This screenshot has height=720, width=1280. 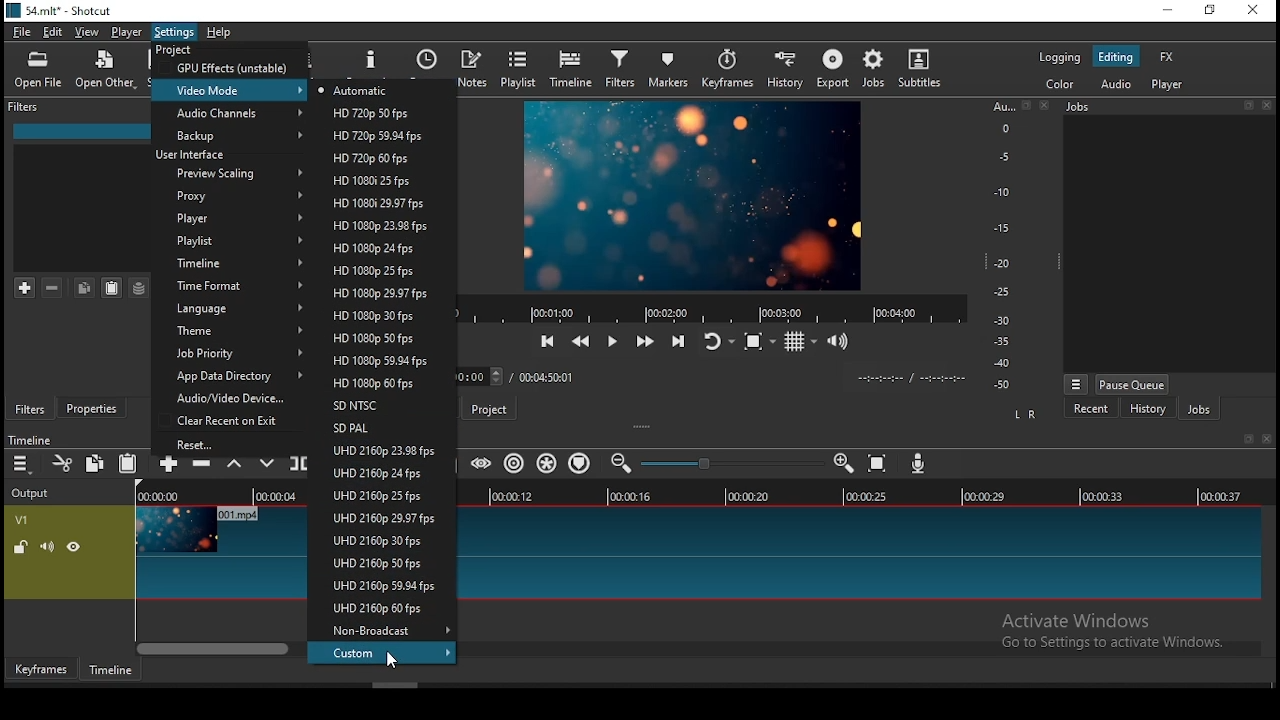 I want to click on resolution option, so click(x=379, y=293).